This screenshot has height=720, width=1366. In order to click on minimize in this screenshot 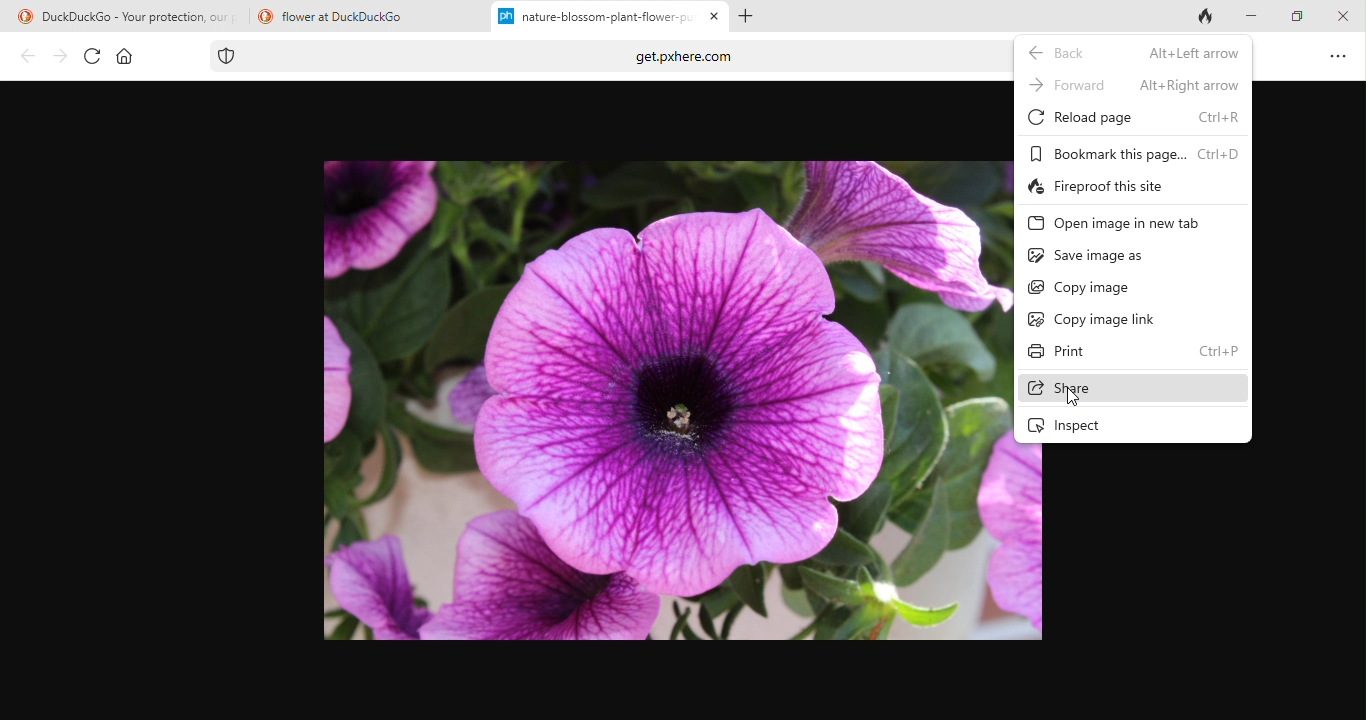, I will do `click(1251, 17)`.